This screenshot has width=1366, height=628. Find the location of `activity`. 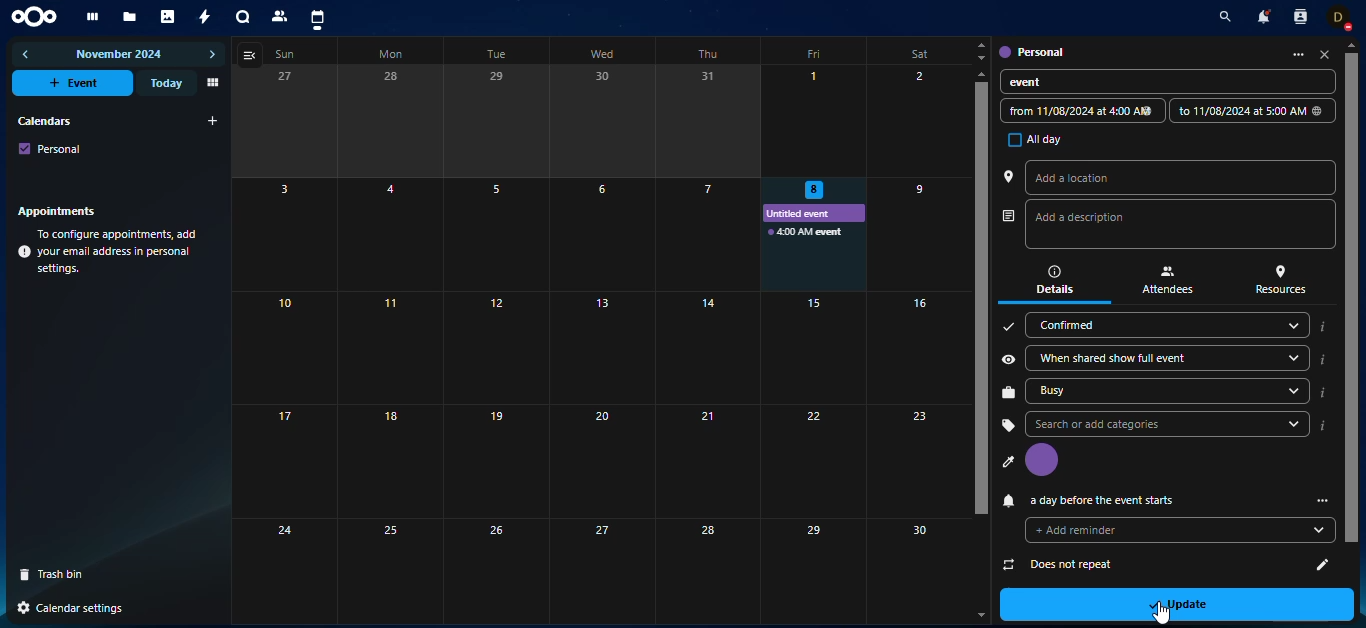

activity is located at coordinates (206, 17).